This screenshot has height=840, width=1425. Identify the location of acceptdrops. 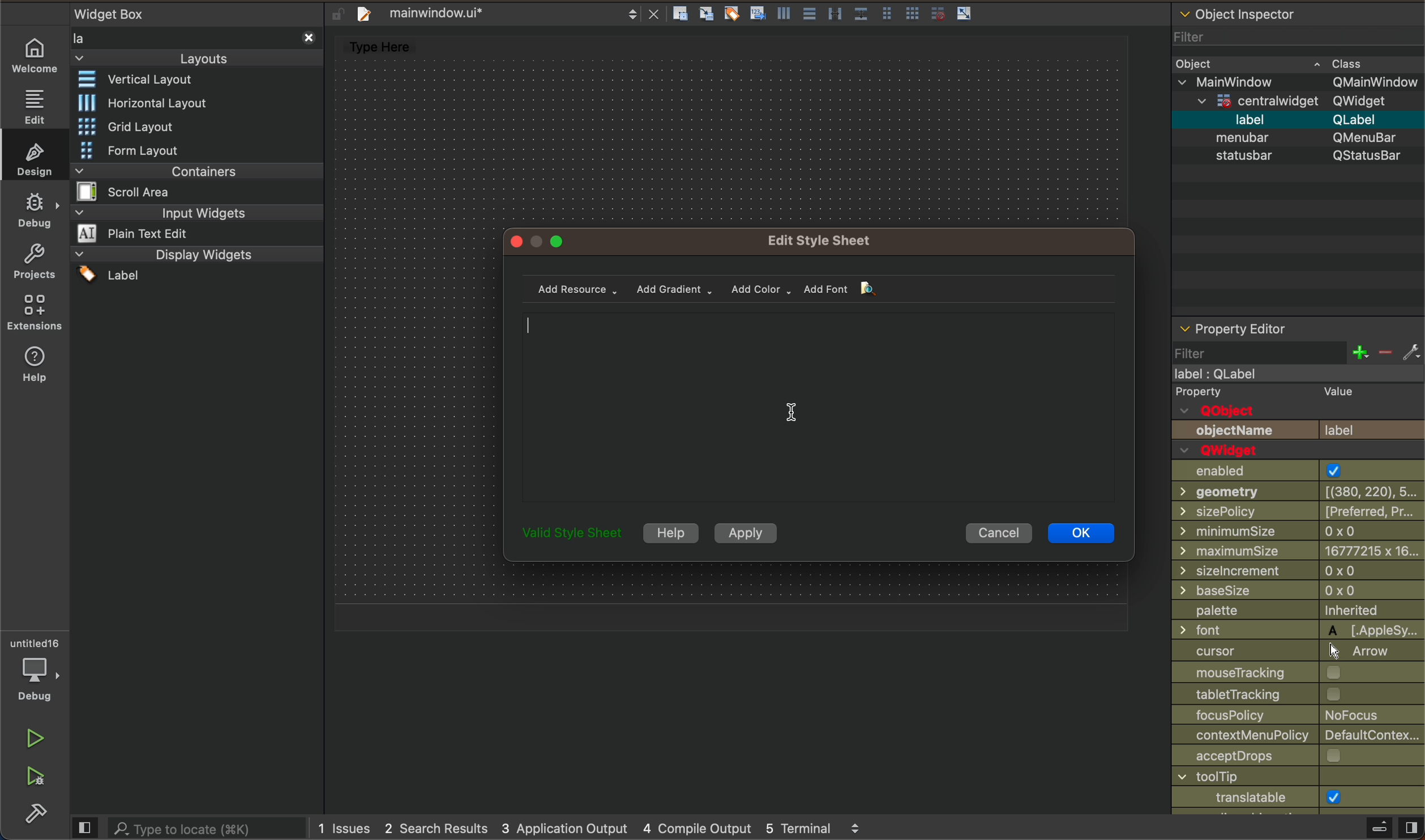
(1298, 757).